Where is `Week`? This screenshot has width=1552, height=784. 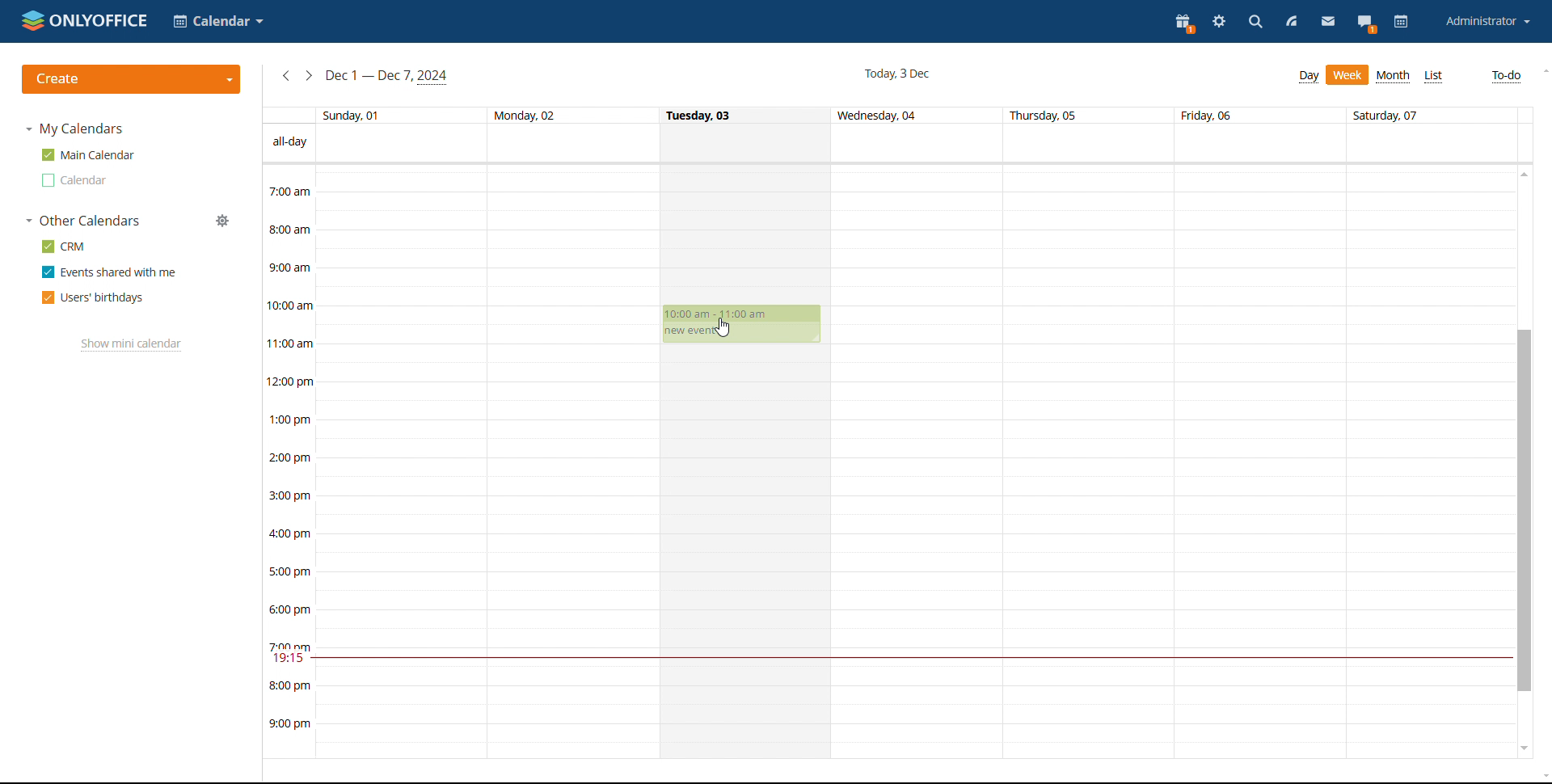
Week is located at coordinates (1348, 75).